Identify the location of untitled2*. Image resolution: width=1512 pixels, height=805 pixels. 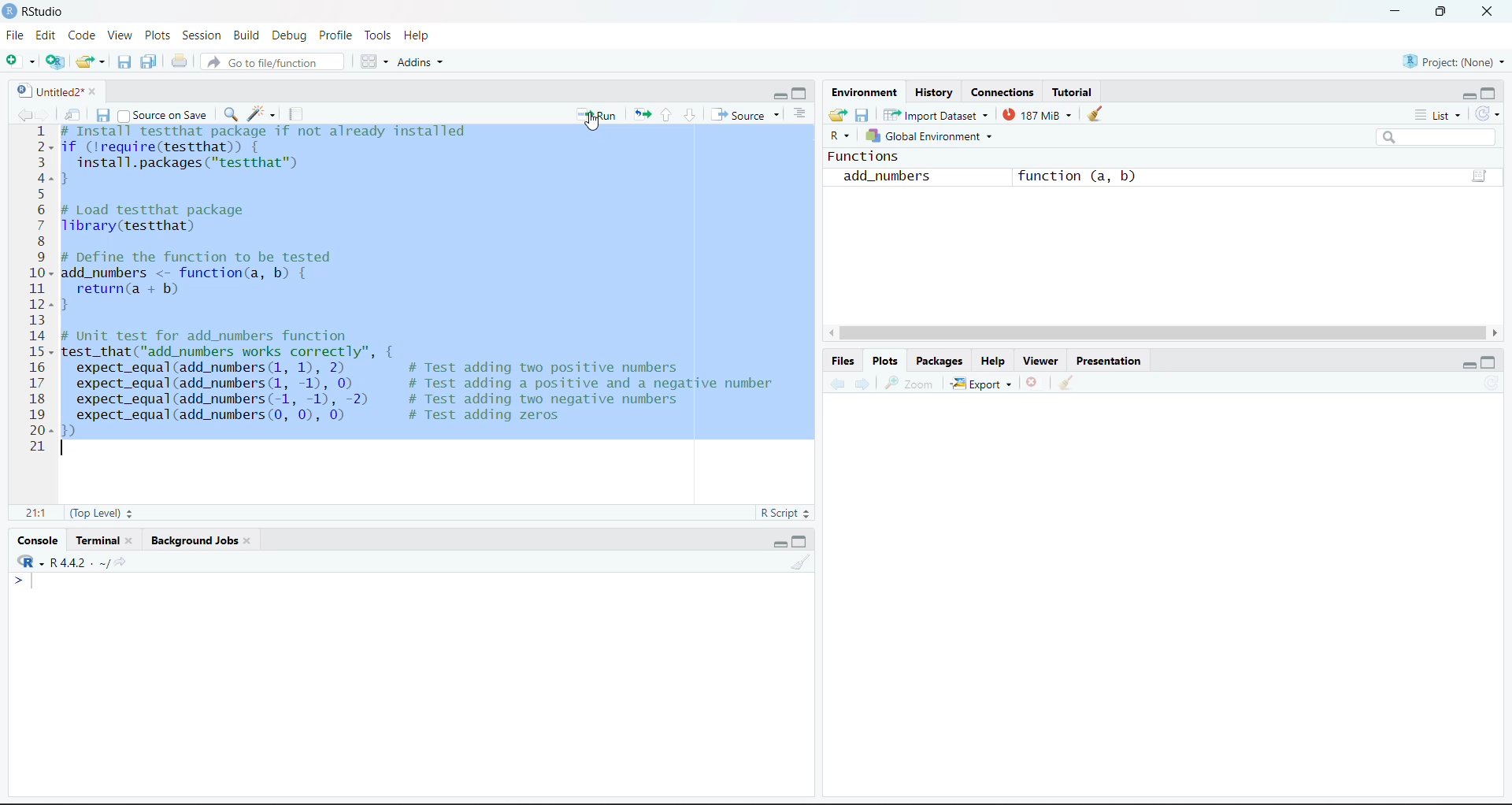
(47, 91).